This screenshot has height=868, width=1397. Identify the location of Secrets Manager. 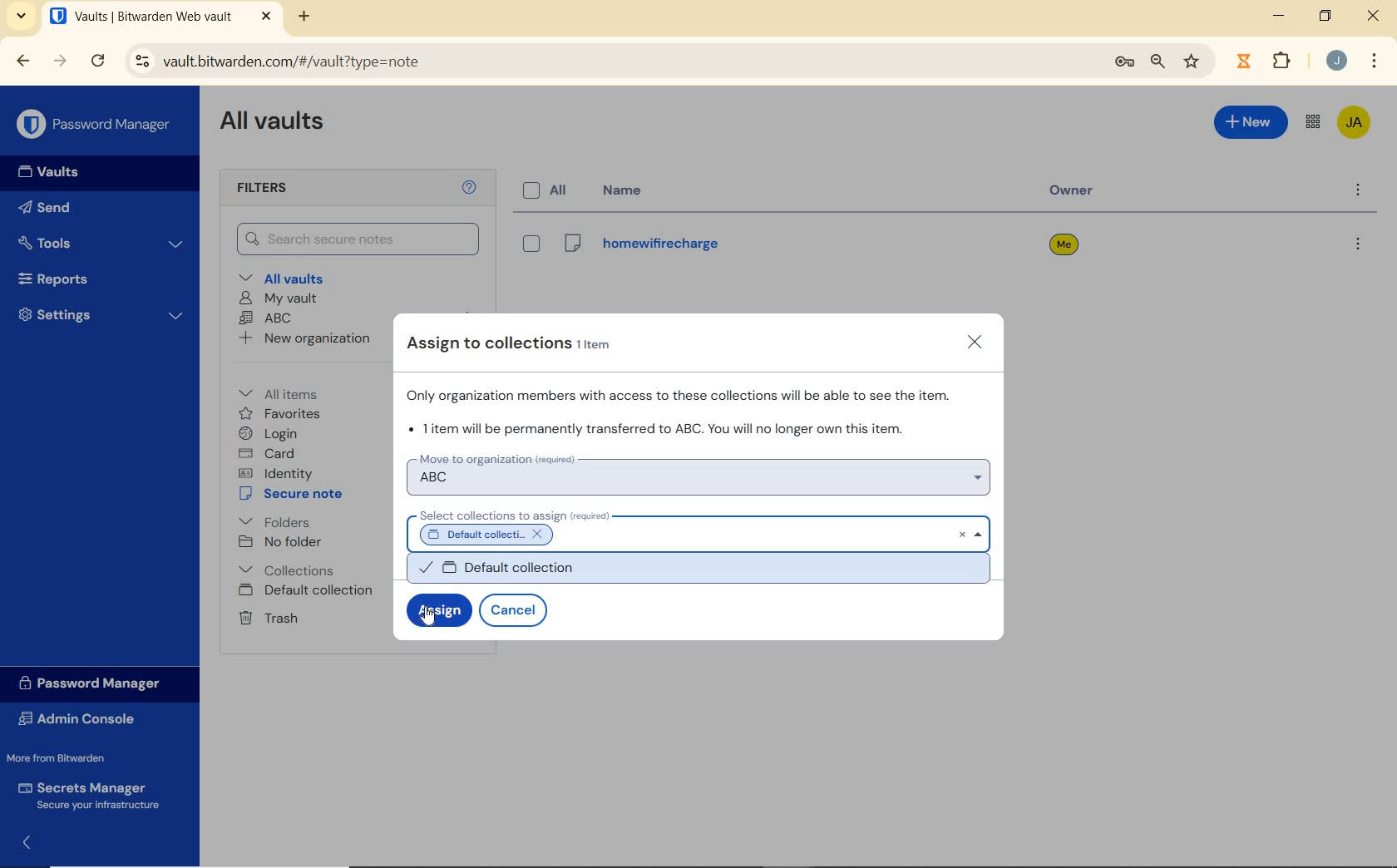
(93, 795).